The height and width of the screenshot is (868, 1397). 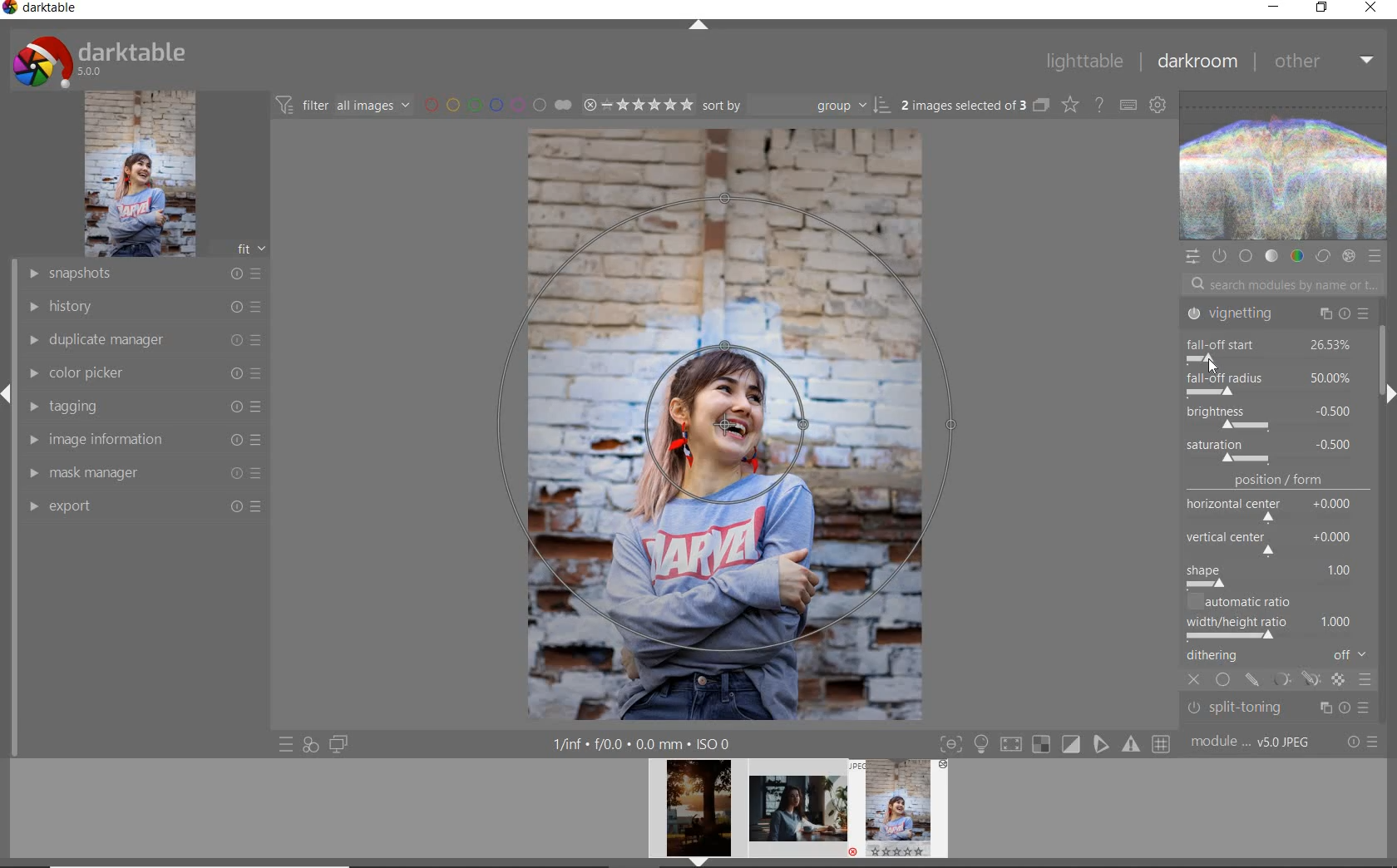 What do you see at coordinates (1098, 103) in the screenshot?
I see `ENABLE ONLINE FOR HELP` at bounding box center [1098, 103].